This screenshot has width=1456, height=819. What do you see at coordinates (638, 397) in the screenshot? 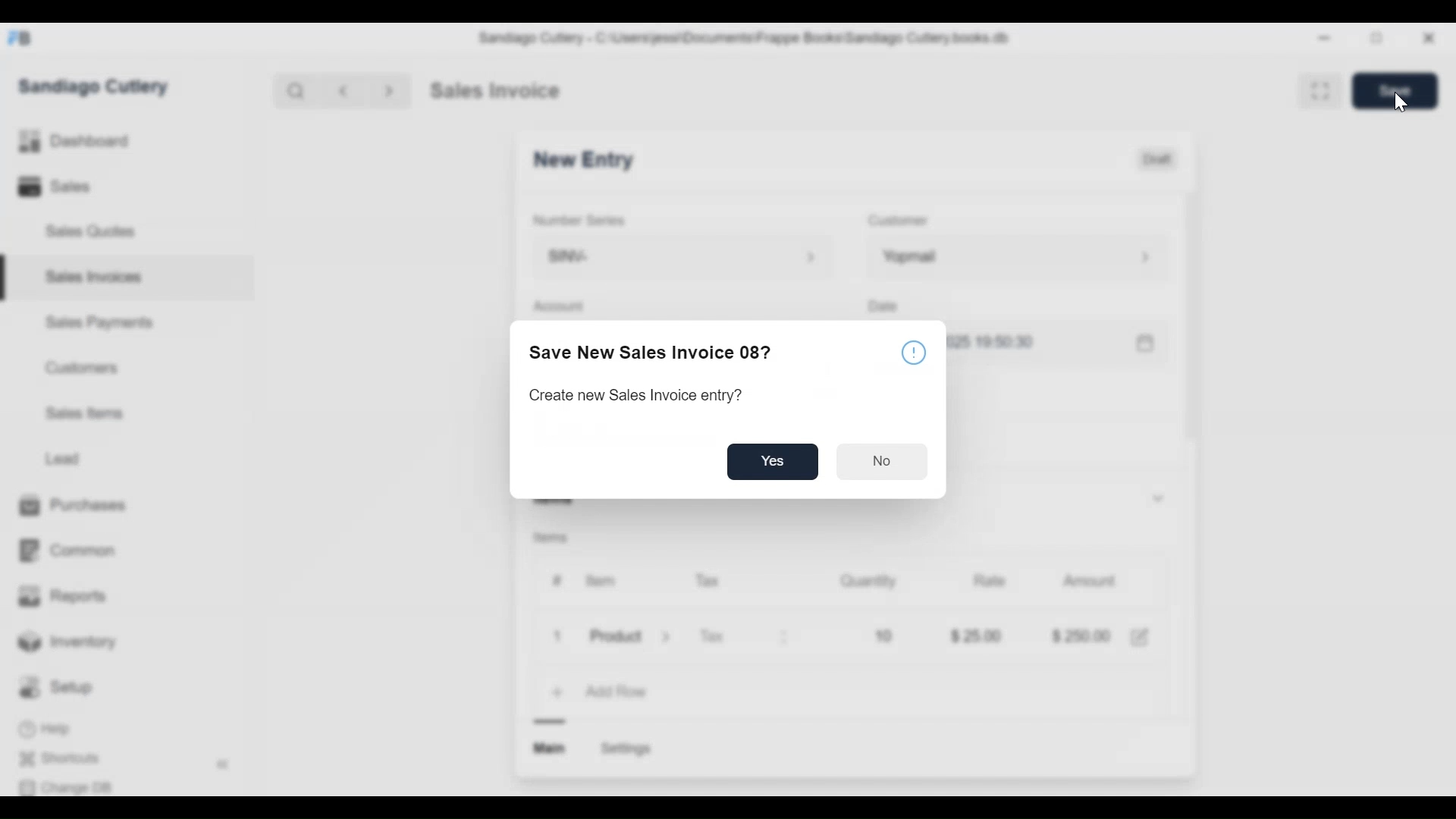
I see `Create new Sales Invoice entry?` at bounding box center [638, 397].